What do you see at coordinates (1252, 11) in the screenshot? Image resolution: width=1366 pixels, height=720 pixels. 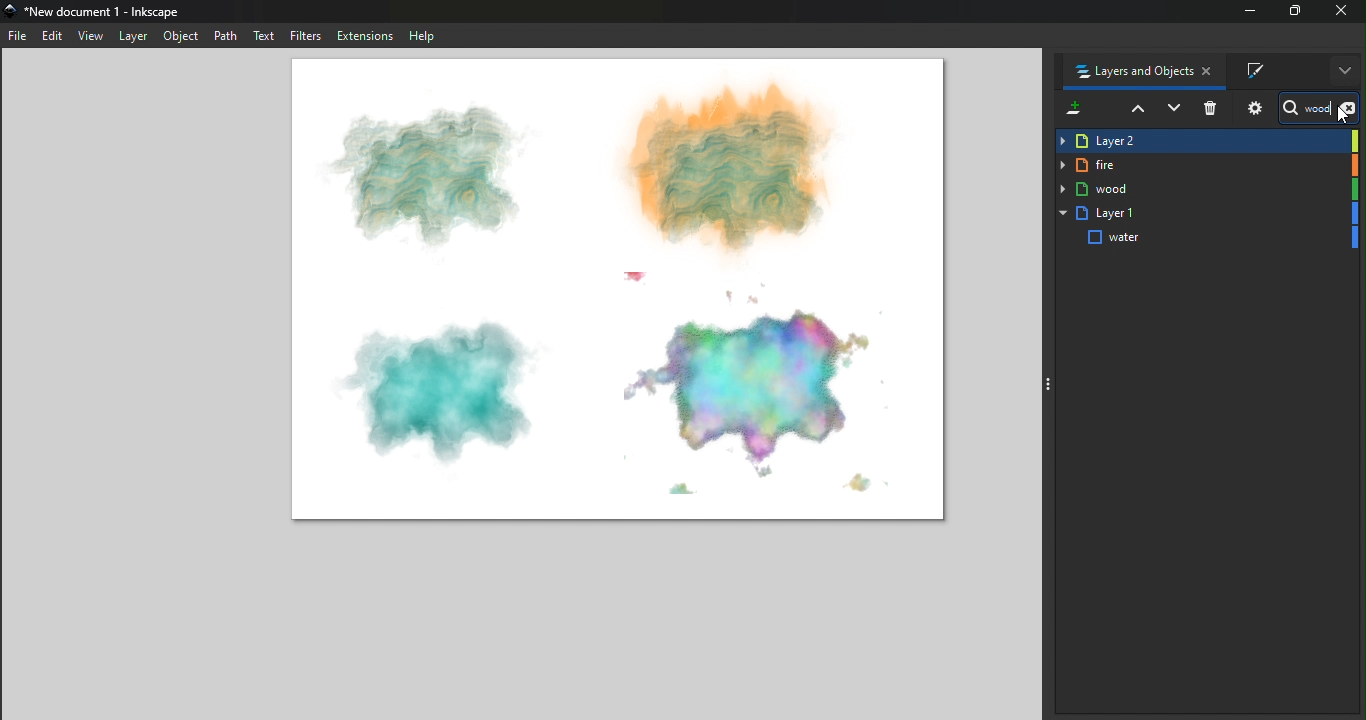 I see `minimize` at bounding box center [1252, 11].